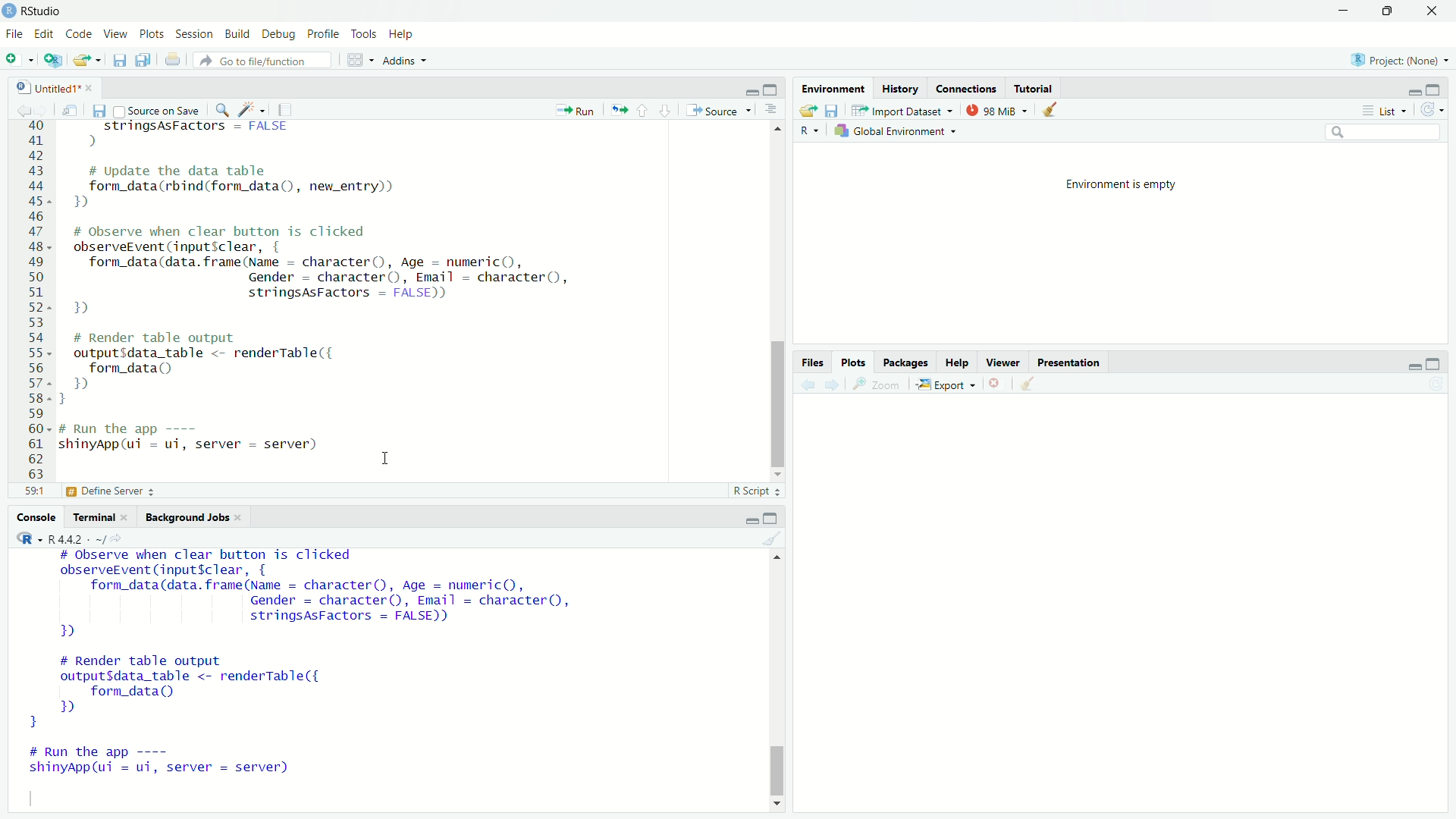  Describe the element at coordinates (262, 60) in the screenshot. I see `go to the file/function` at that location.